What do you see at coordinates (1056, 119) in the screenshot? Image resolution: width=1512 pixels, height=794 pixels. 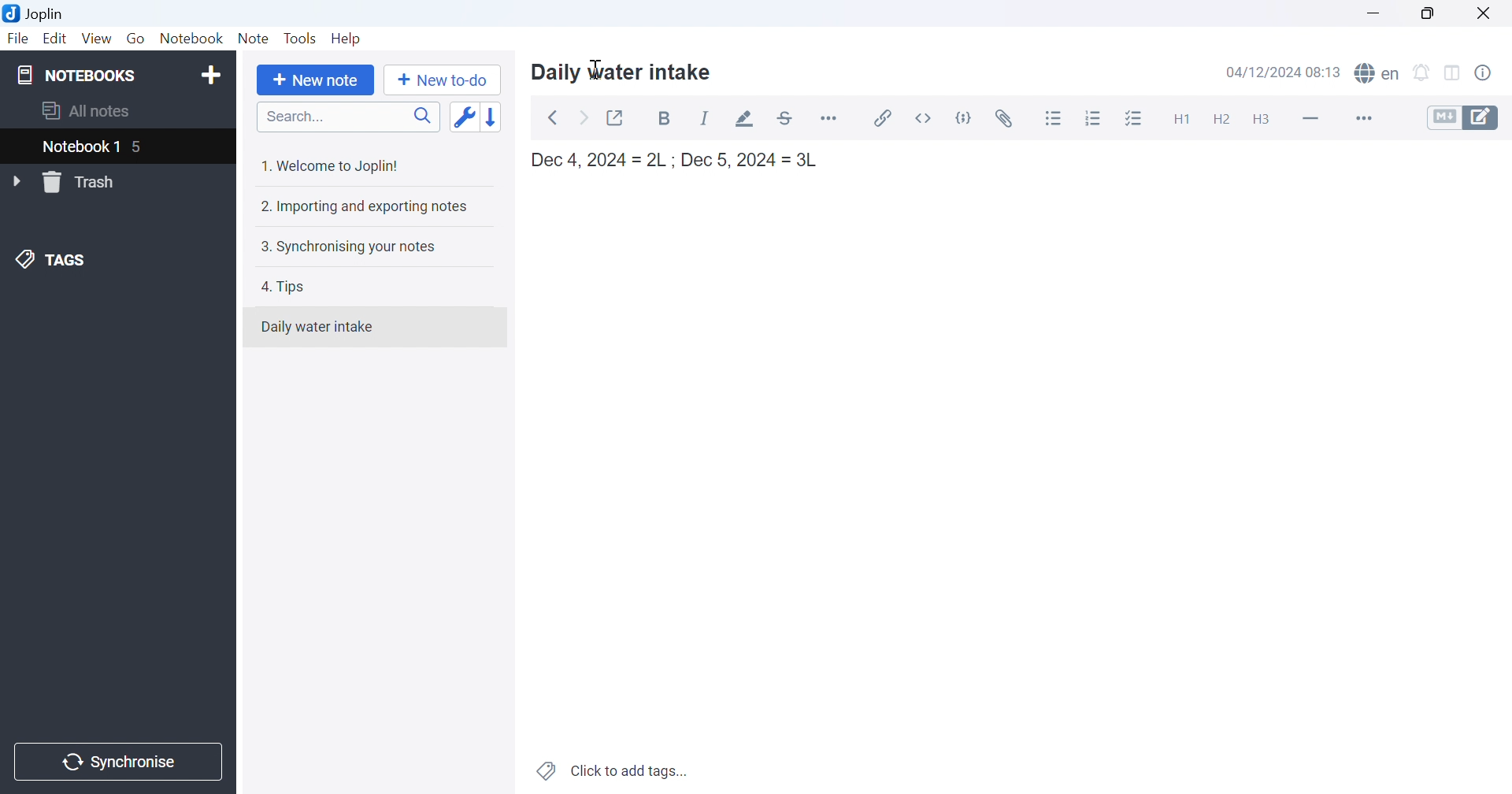 I see `Bulleted list` at bounding box center [1056, 119].